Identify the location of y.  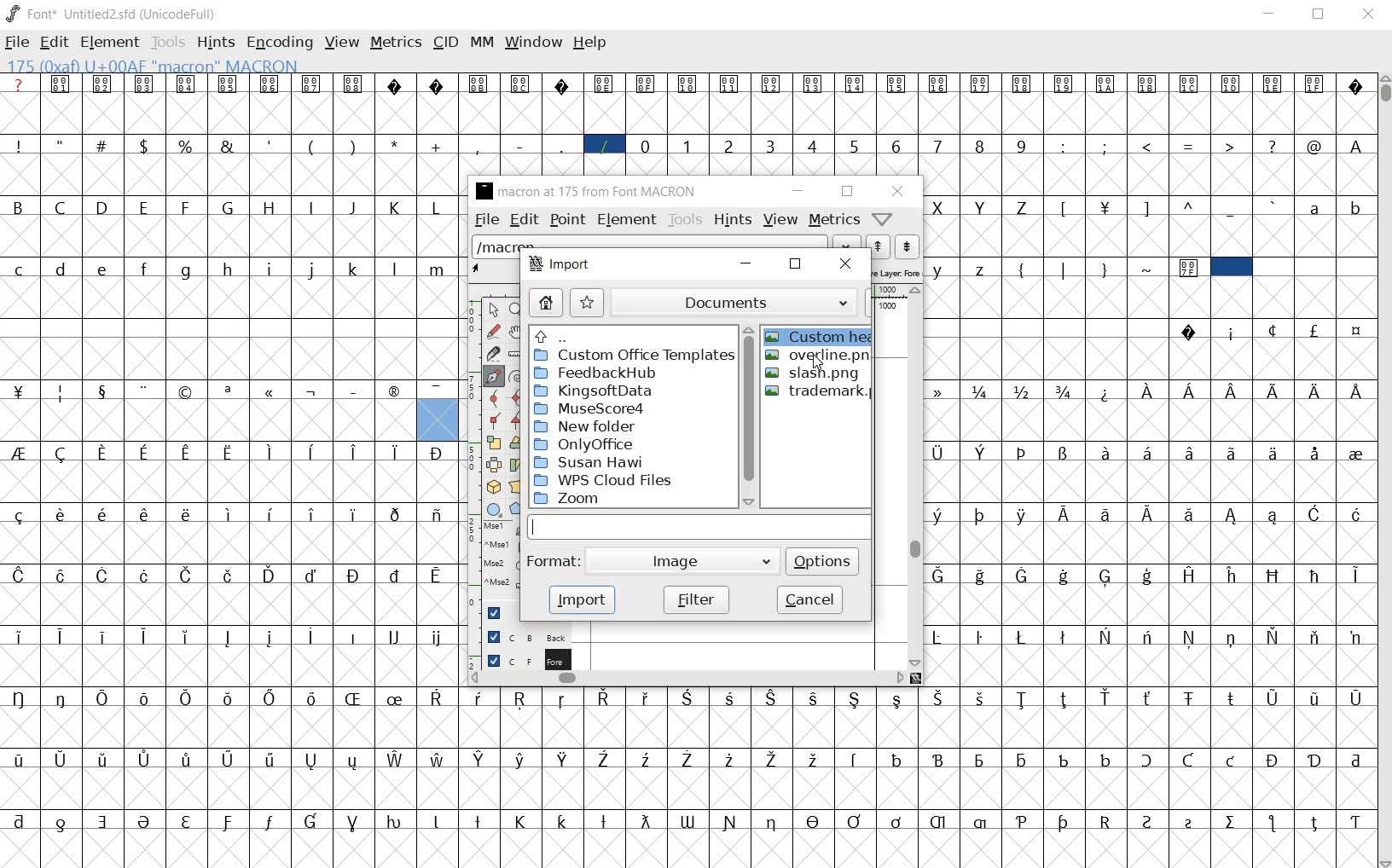
(940, 269).